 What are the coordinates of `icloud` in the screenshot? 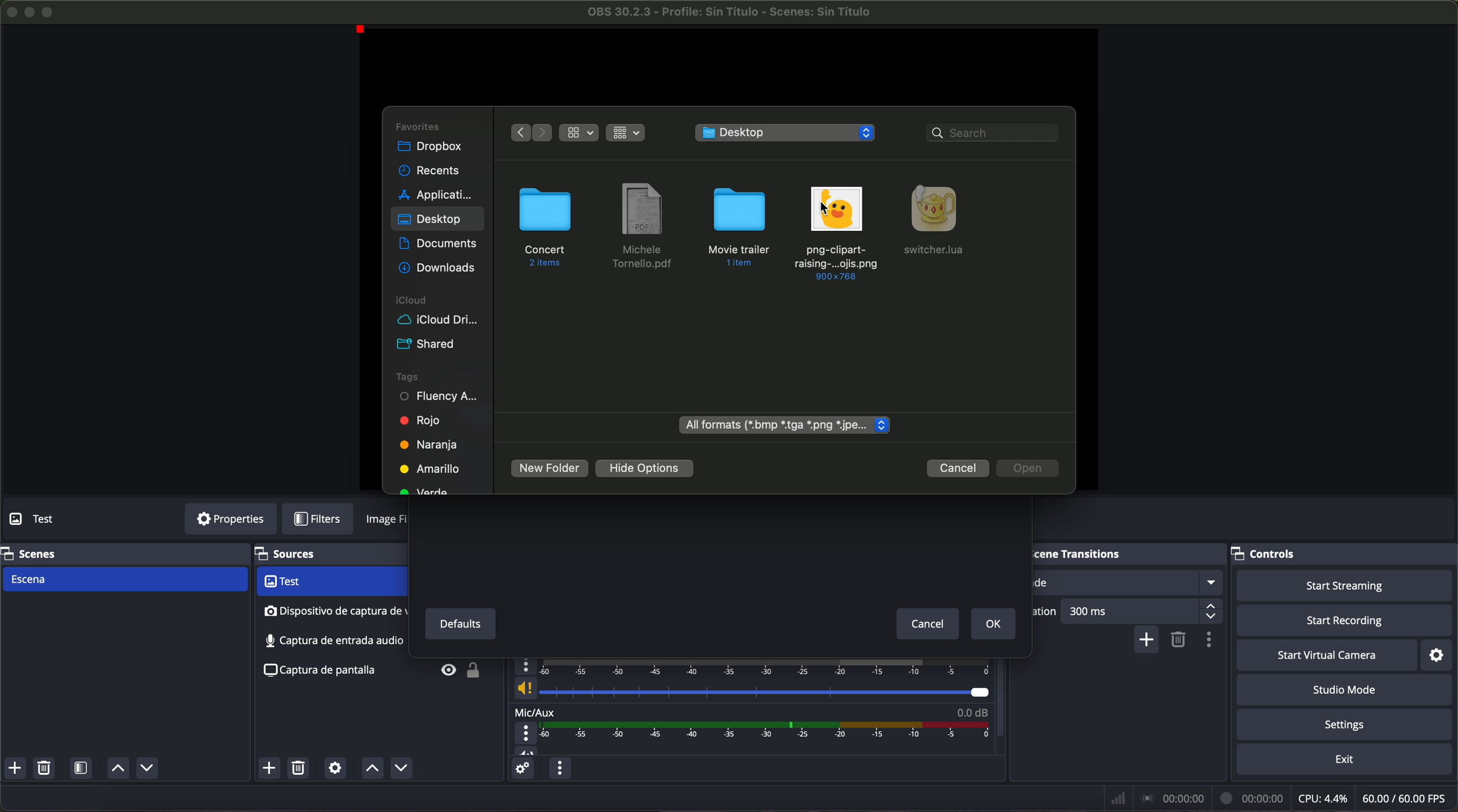 It's located at (409, 301).